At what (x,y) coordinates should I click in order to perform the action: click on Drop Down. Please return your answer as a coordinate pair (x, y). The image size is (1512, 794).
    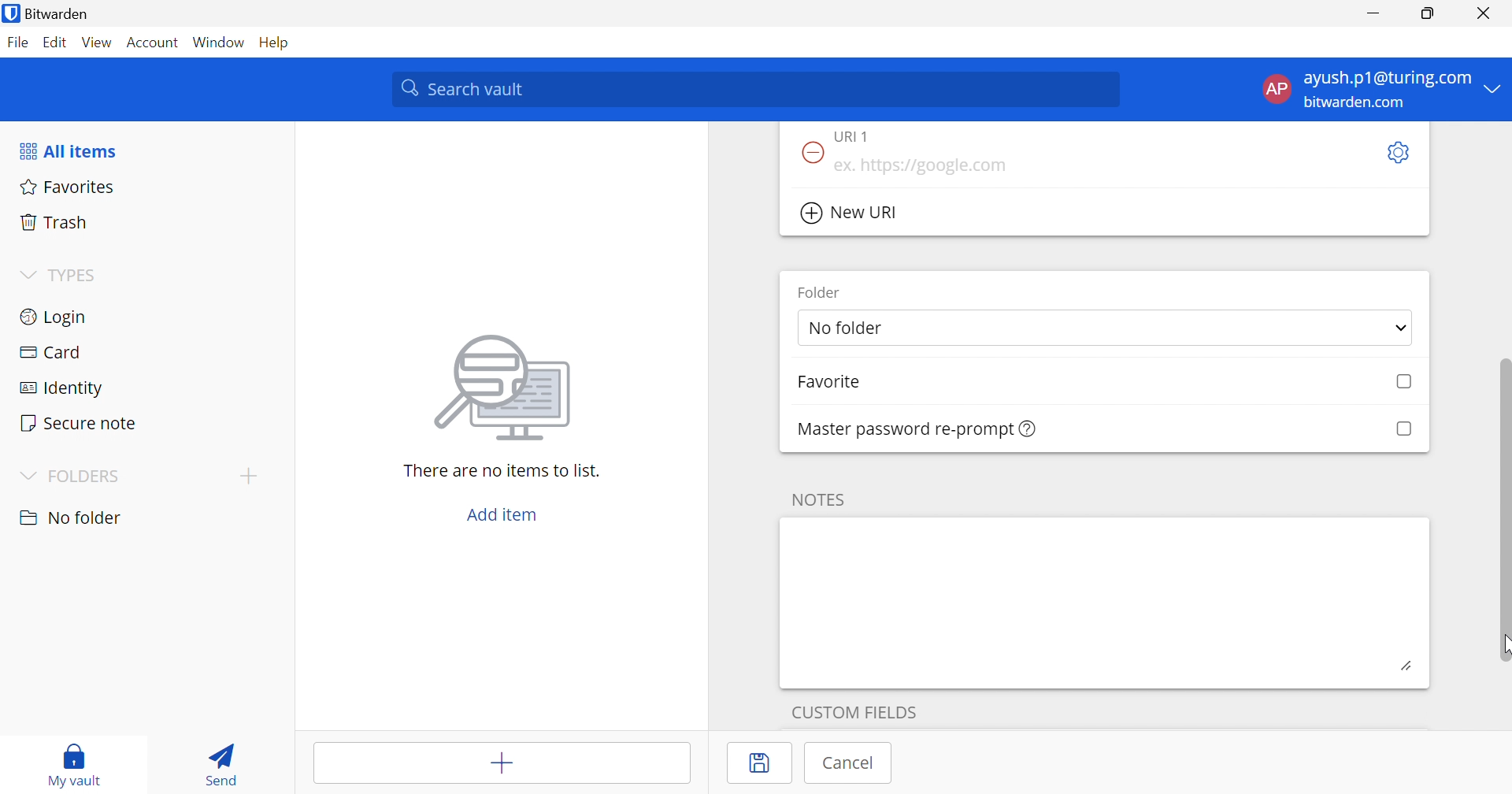
    Looking at the image, I should click on (1402, 330).